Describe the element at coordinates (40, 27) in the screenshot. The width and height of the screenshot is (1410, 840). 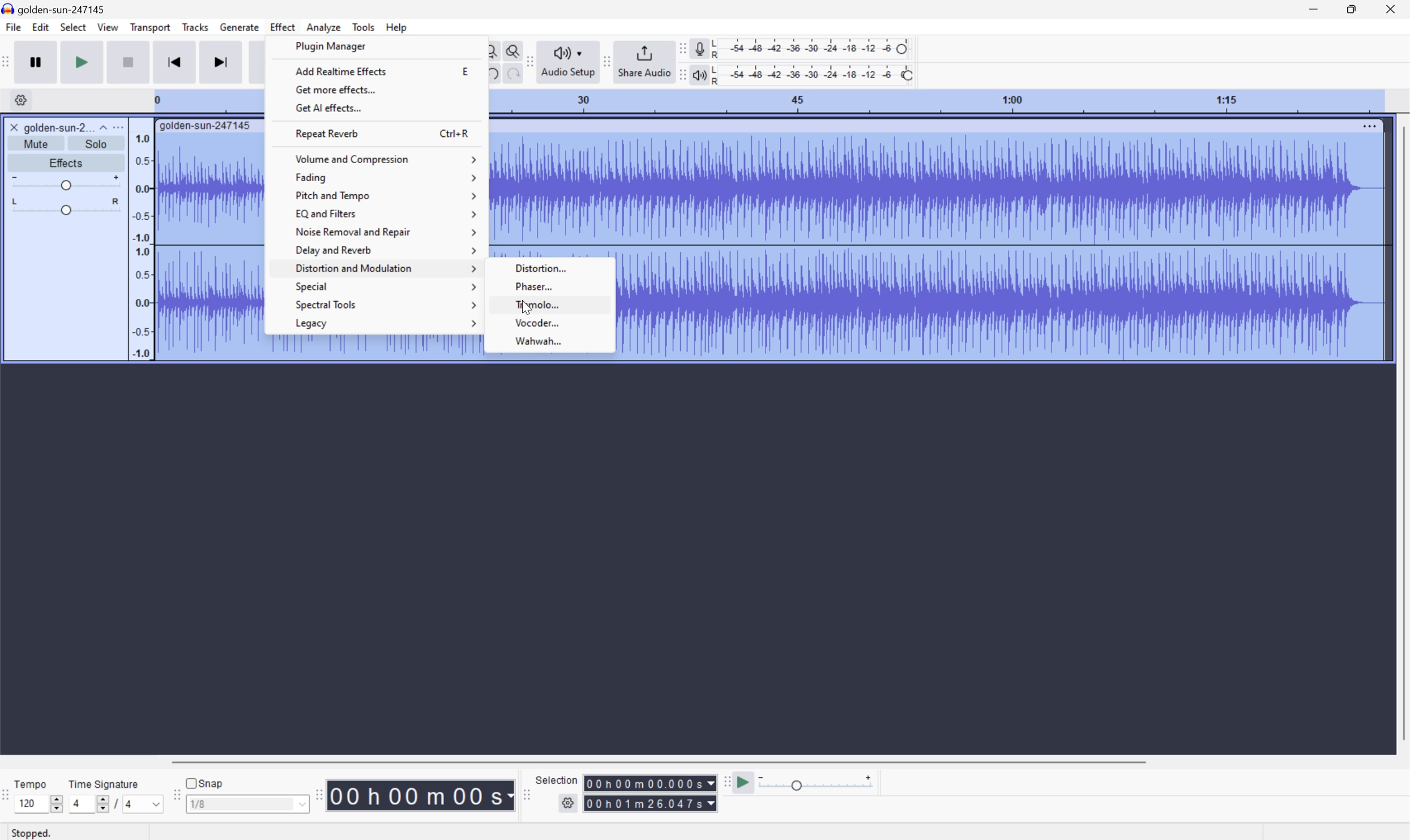
I see `Edit` at that location.